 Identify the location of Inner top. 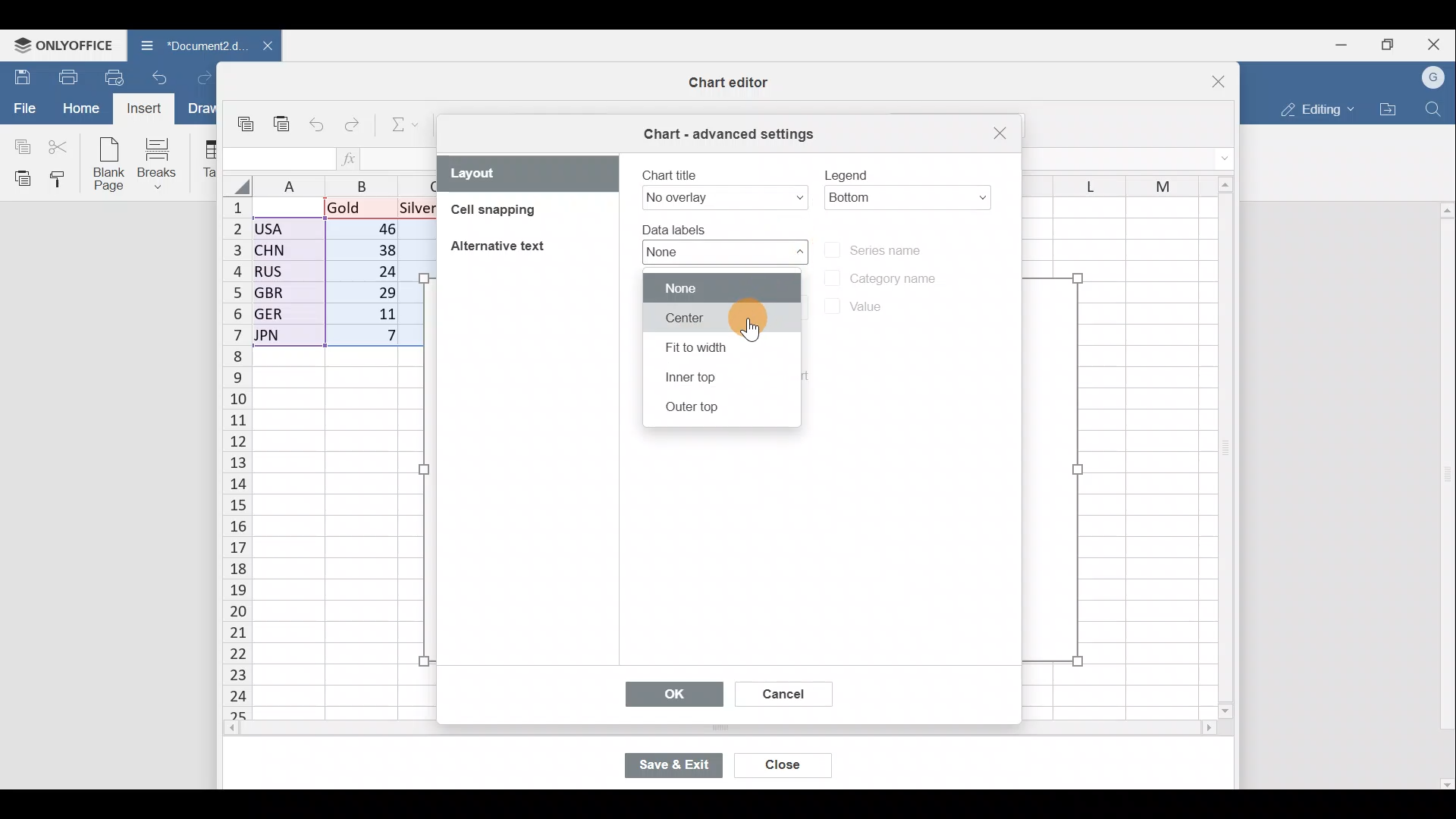
(714, 378).